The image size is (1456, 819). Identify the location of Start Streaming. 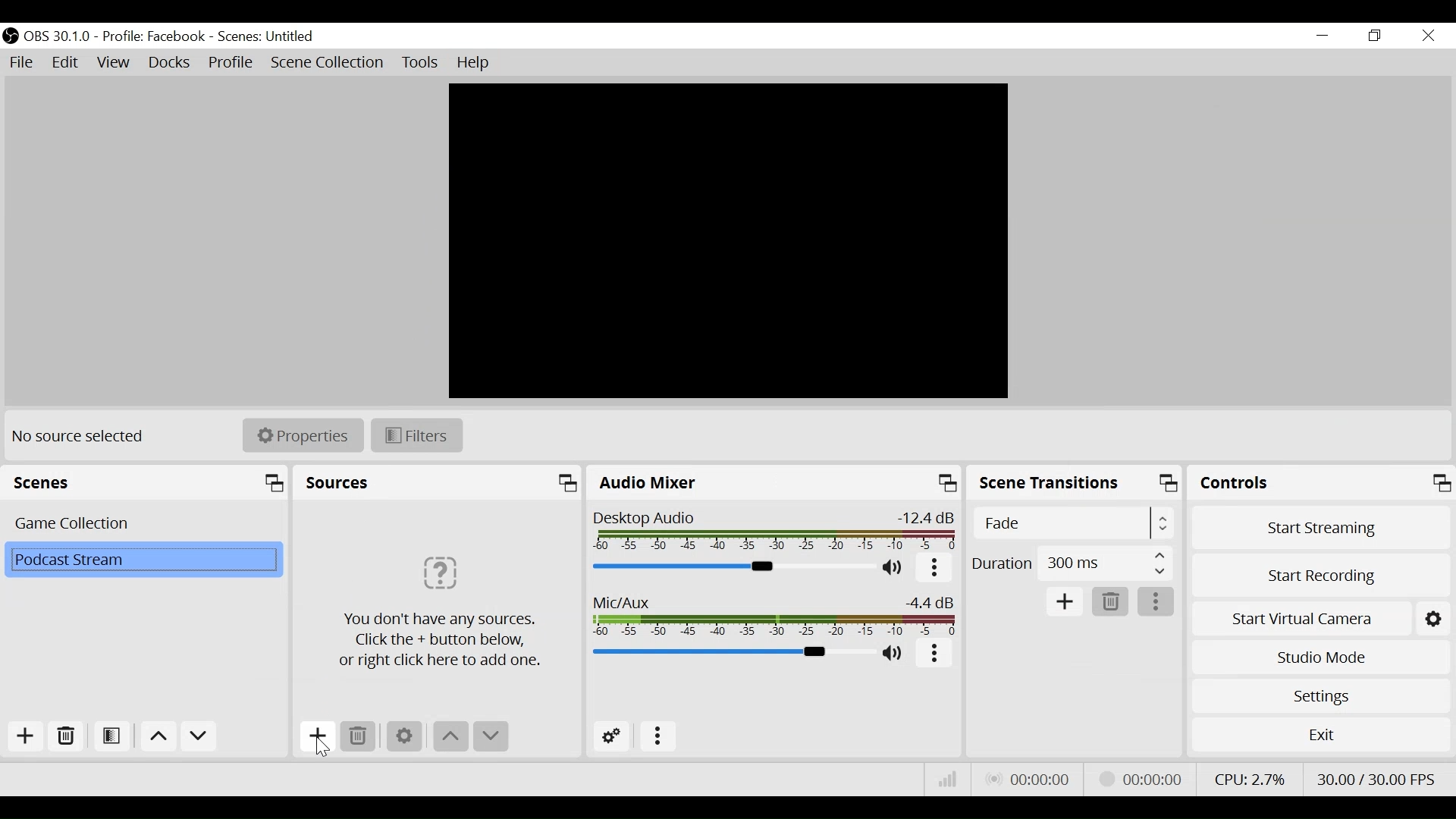
(1319, 526).